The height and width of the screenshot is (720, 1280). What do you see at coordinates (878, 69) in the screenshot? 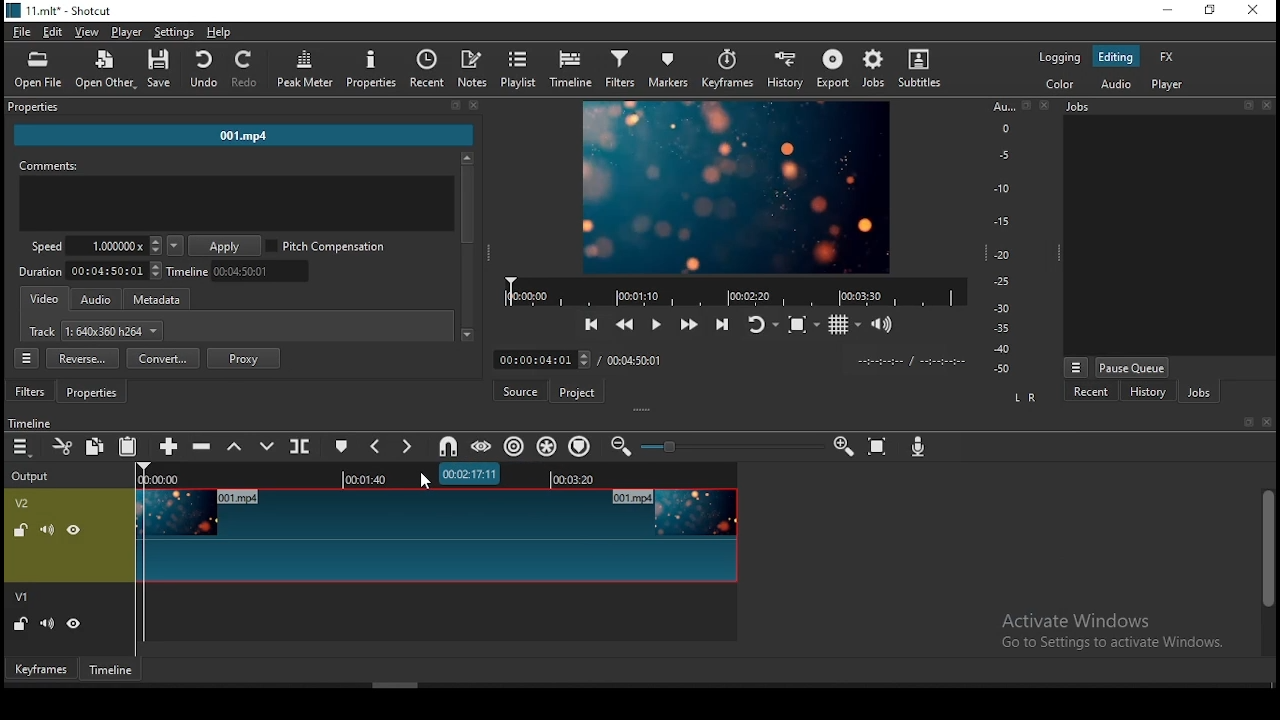
I see `jobs` at bounding box center [878, 69].